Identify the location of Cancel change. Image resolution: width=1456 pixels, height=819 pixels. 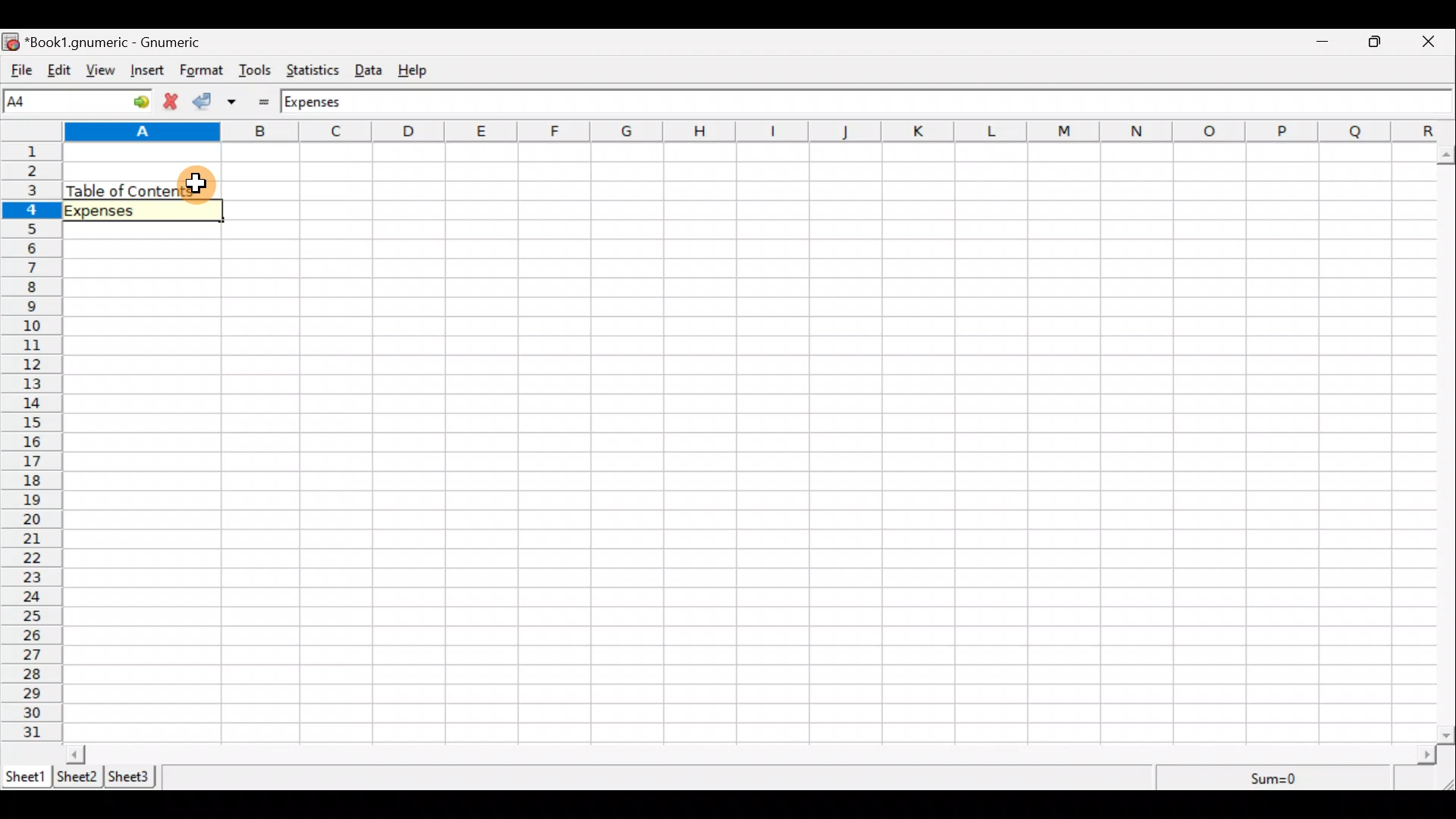
(174, 103).